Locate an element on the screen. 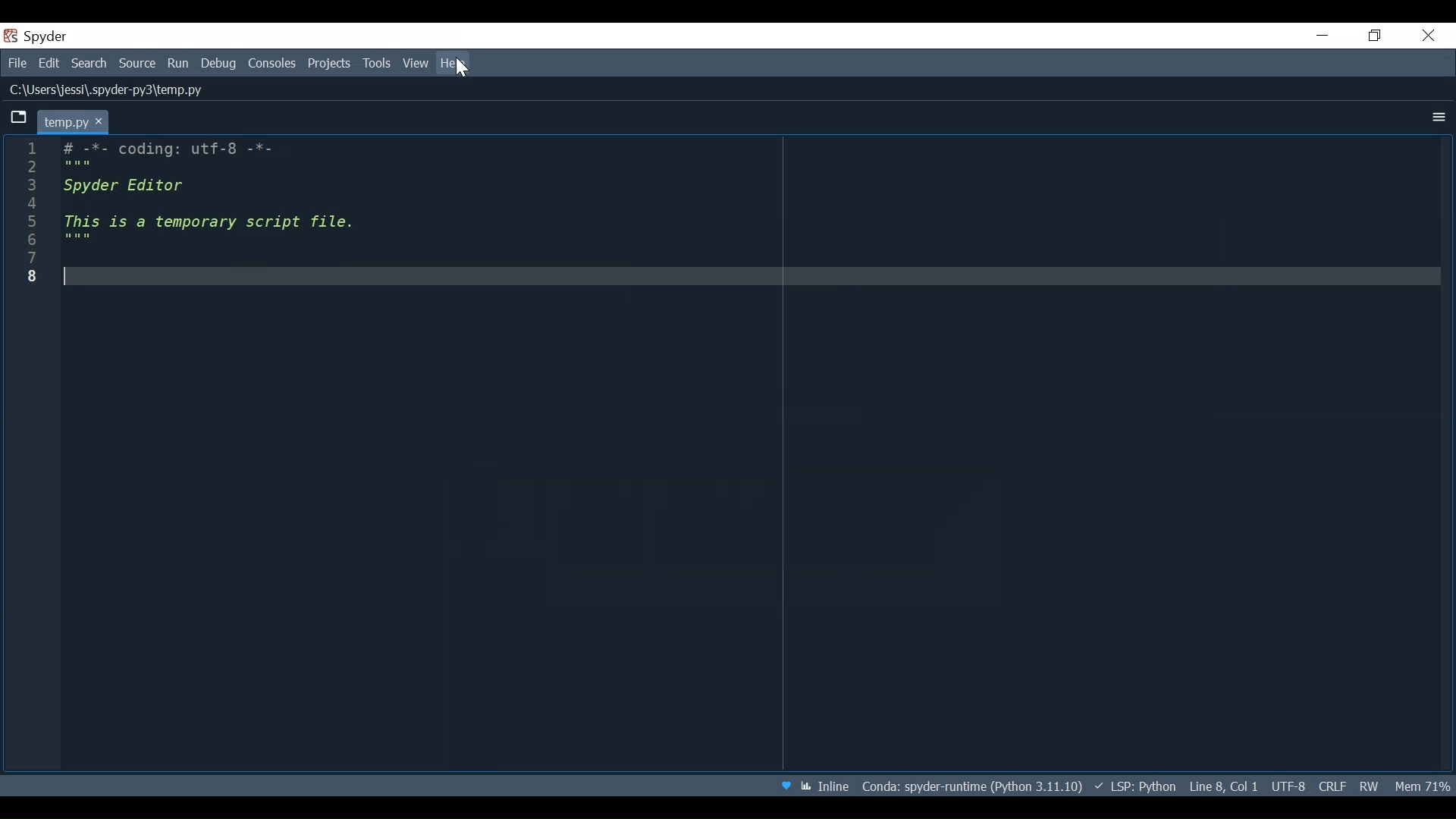  Cursor is located at coordinates (462, 69).